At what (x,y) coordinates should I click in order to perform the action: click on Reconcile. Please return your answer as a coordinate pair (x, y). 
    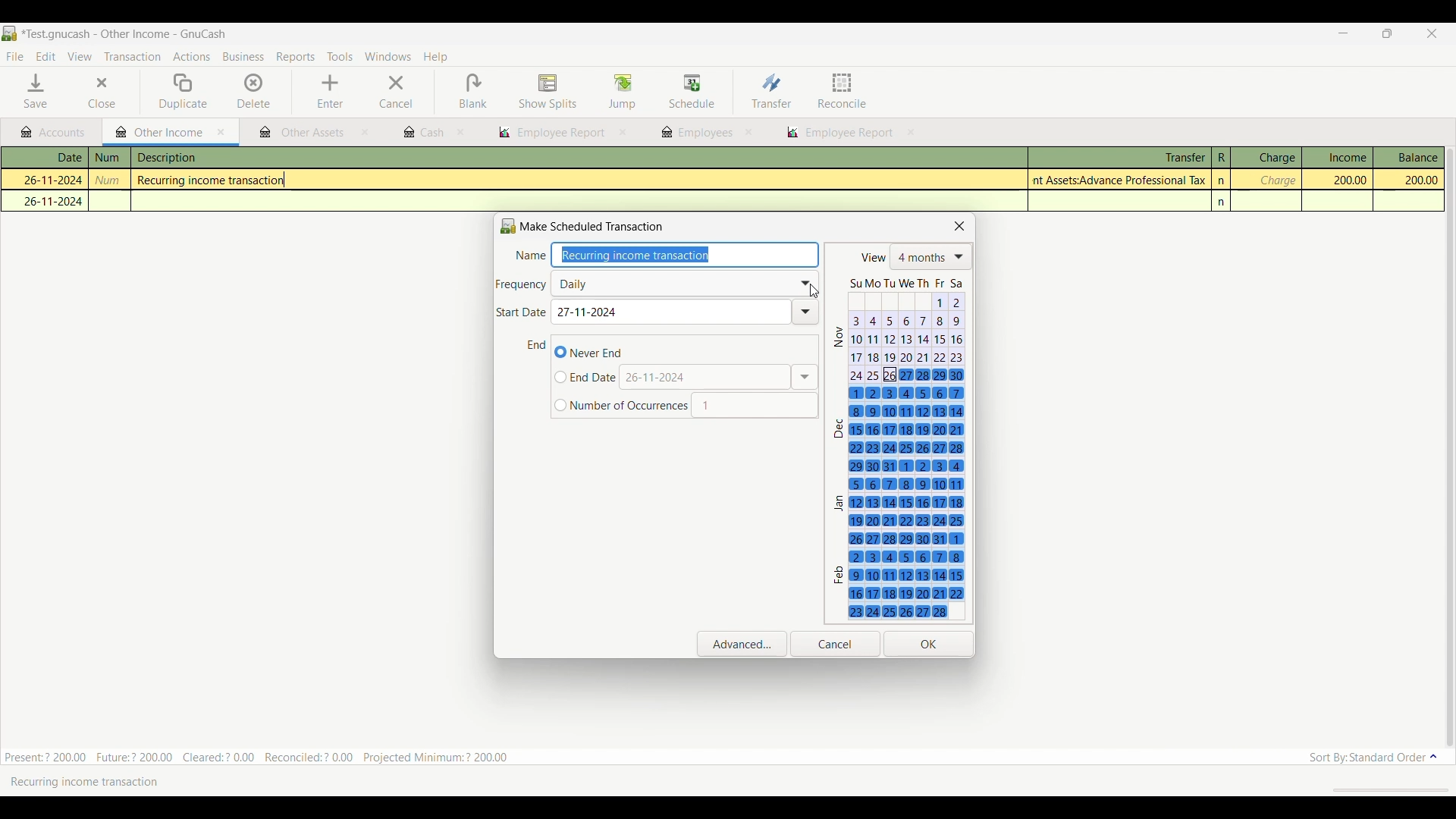
    Looking at the image, I should click on (843, 90).